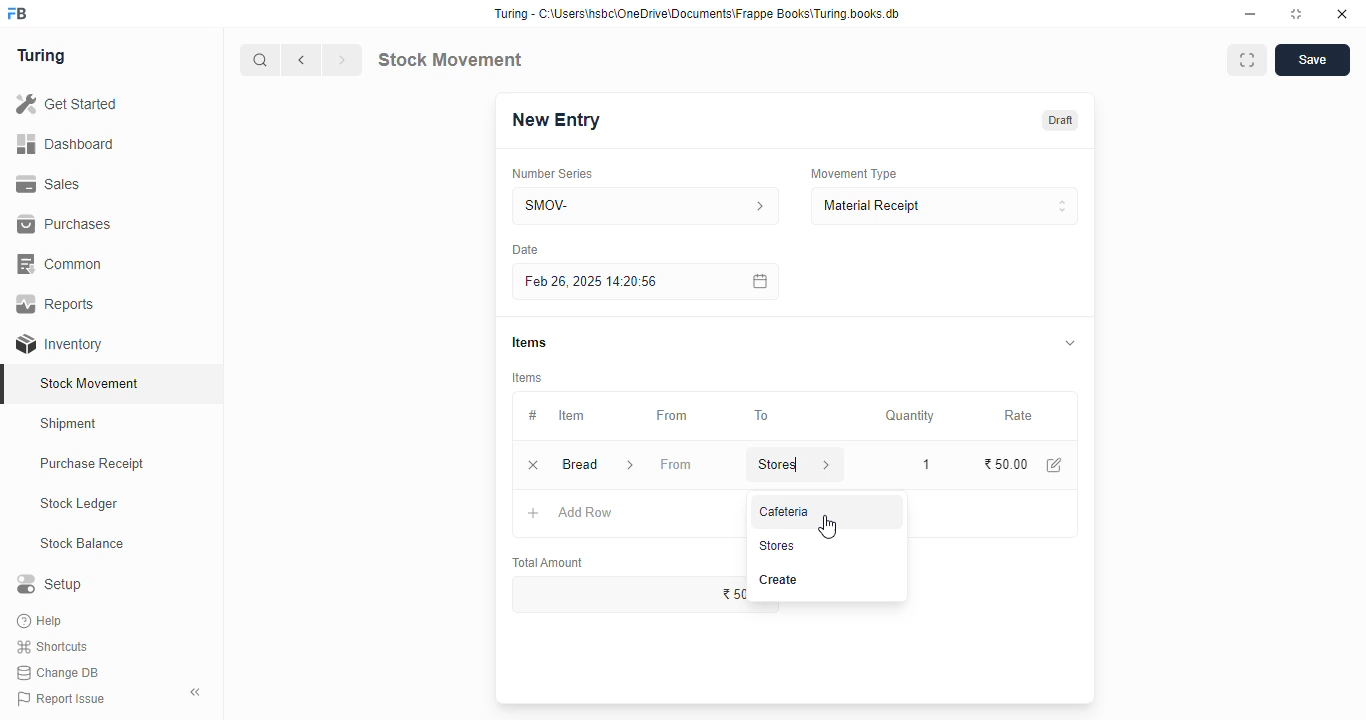 The height and width of the screenshot is (720, 1366). What do you see at coordinates (69, 424) in the screenshot?
I see `shipment` at bounding box center [69, 424].